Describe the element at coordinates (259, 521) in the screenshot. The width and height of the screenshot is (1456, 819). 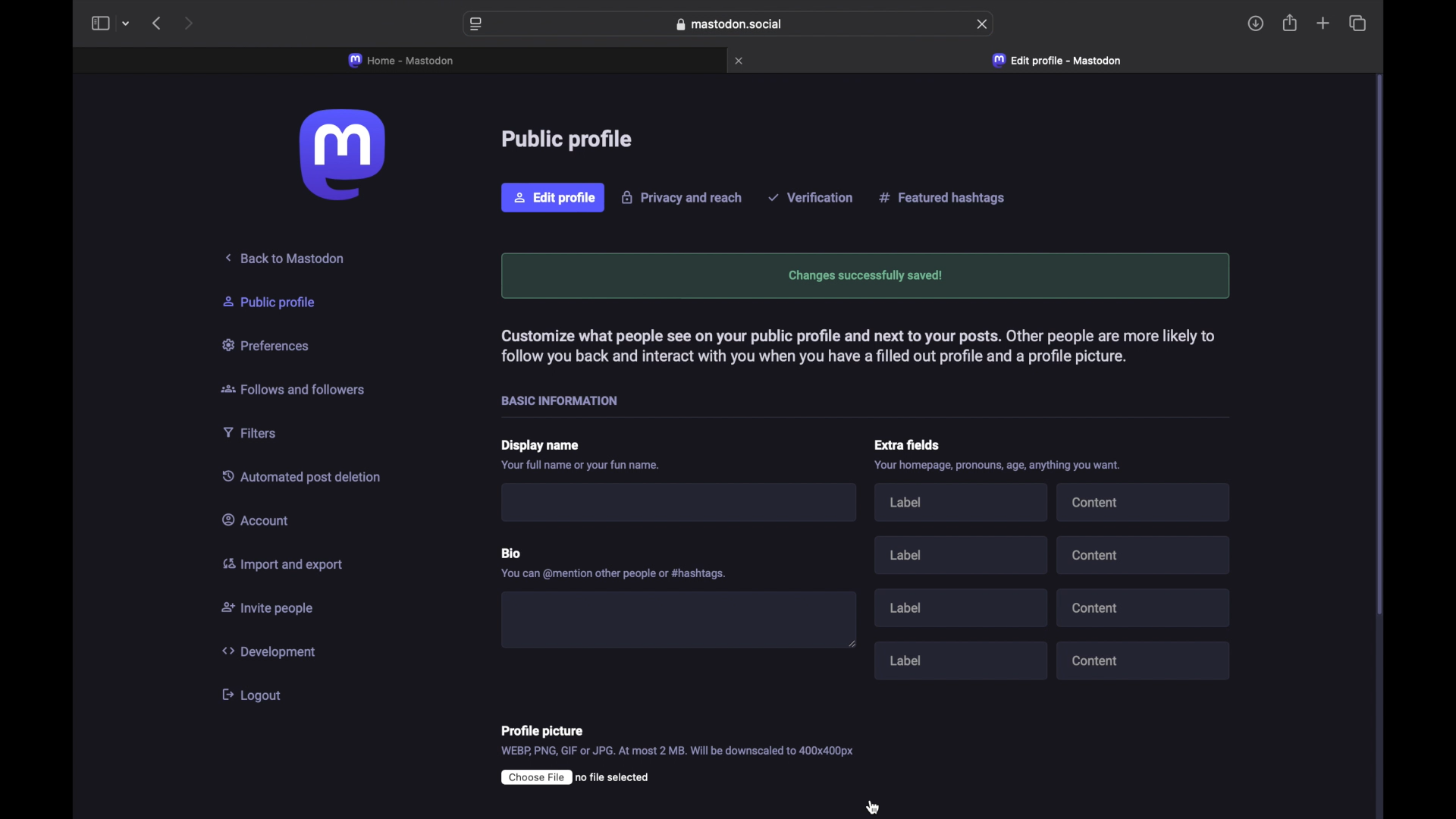
I see `Account` at that location.